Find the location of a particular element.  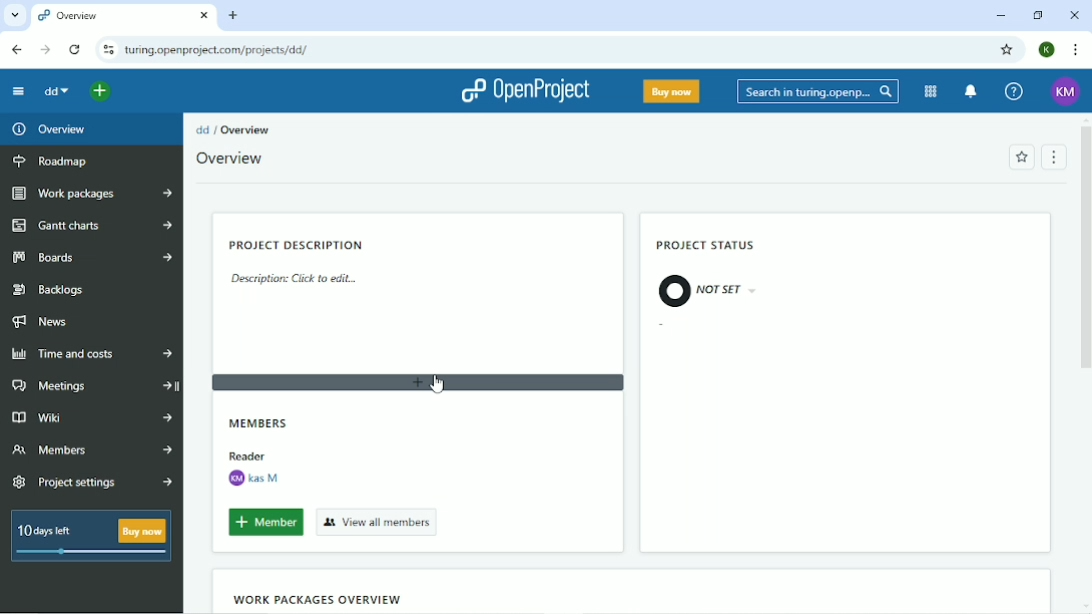

Cursor is located at coordinates (436, 383).